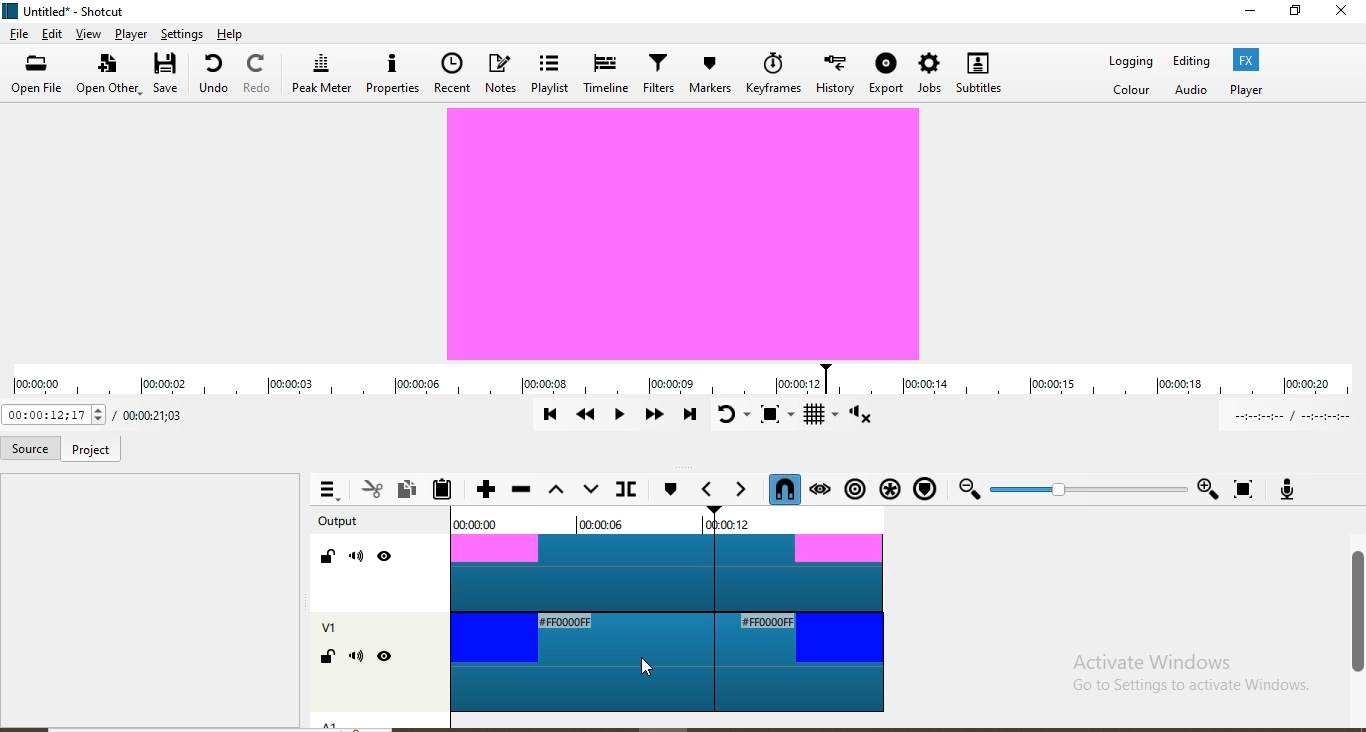  What do you see at coordinates (1242, 485) in the screenshot?
I see `Zoom timeline to fit` at bounding box center [1242, 485].